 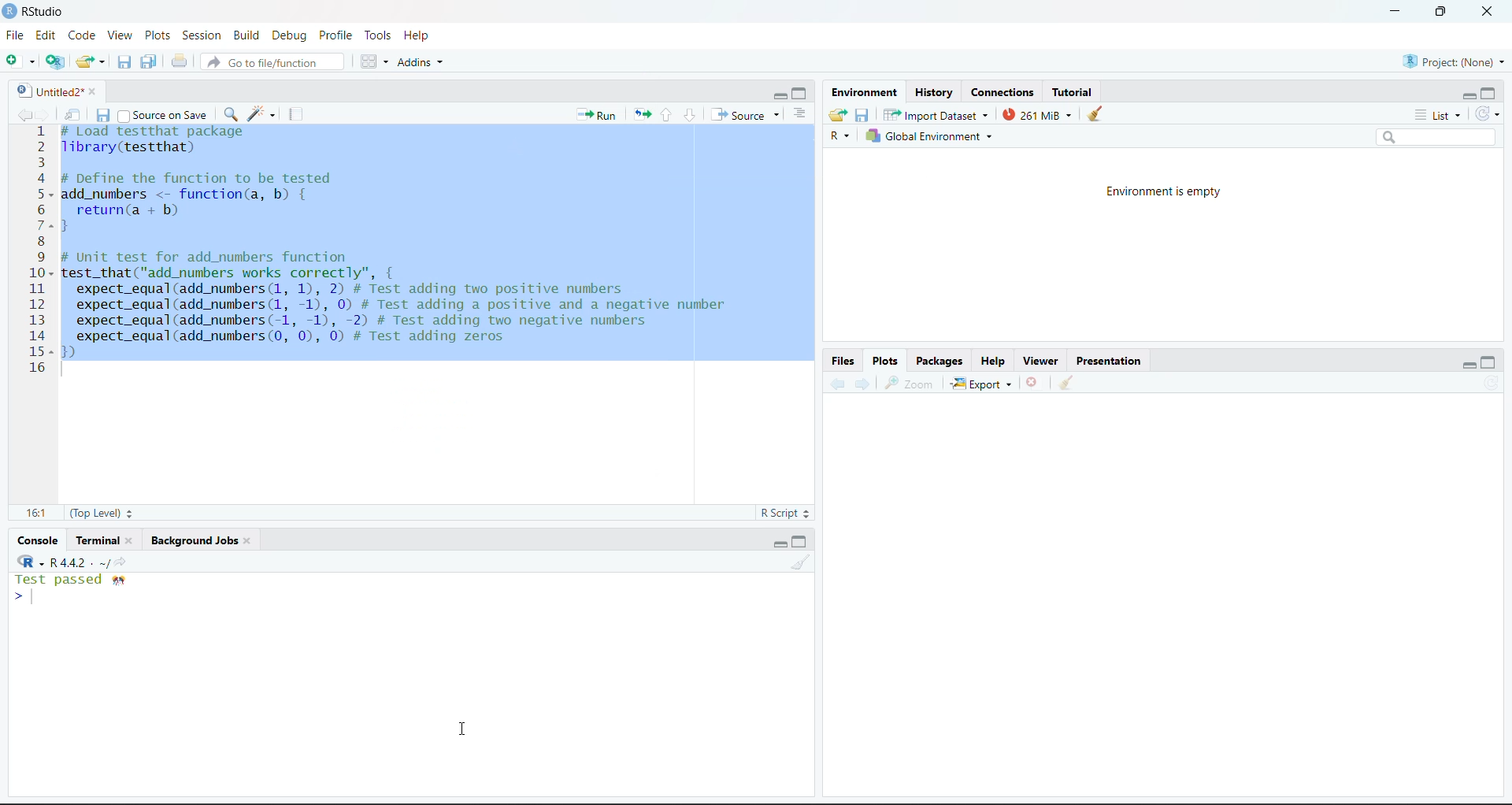 I want to click on typing cursor, so click(x=23, y=599).